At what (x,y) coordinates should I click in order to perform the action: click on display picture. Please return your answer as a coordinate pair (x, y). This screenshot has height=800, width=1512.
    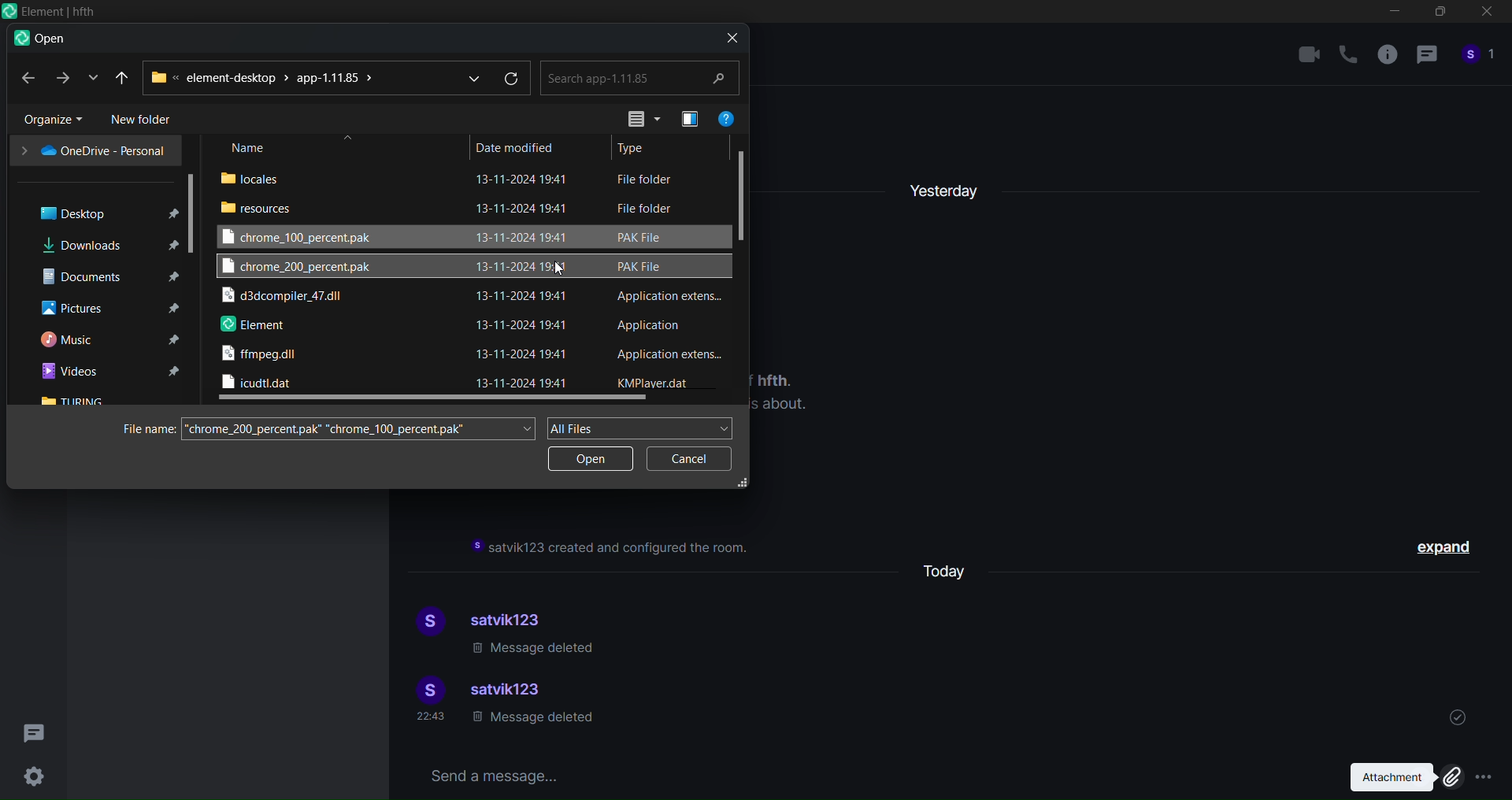
    Looking at the image, I should click on (426, 623).